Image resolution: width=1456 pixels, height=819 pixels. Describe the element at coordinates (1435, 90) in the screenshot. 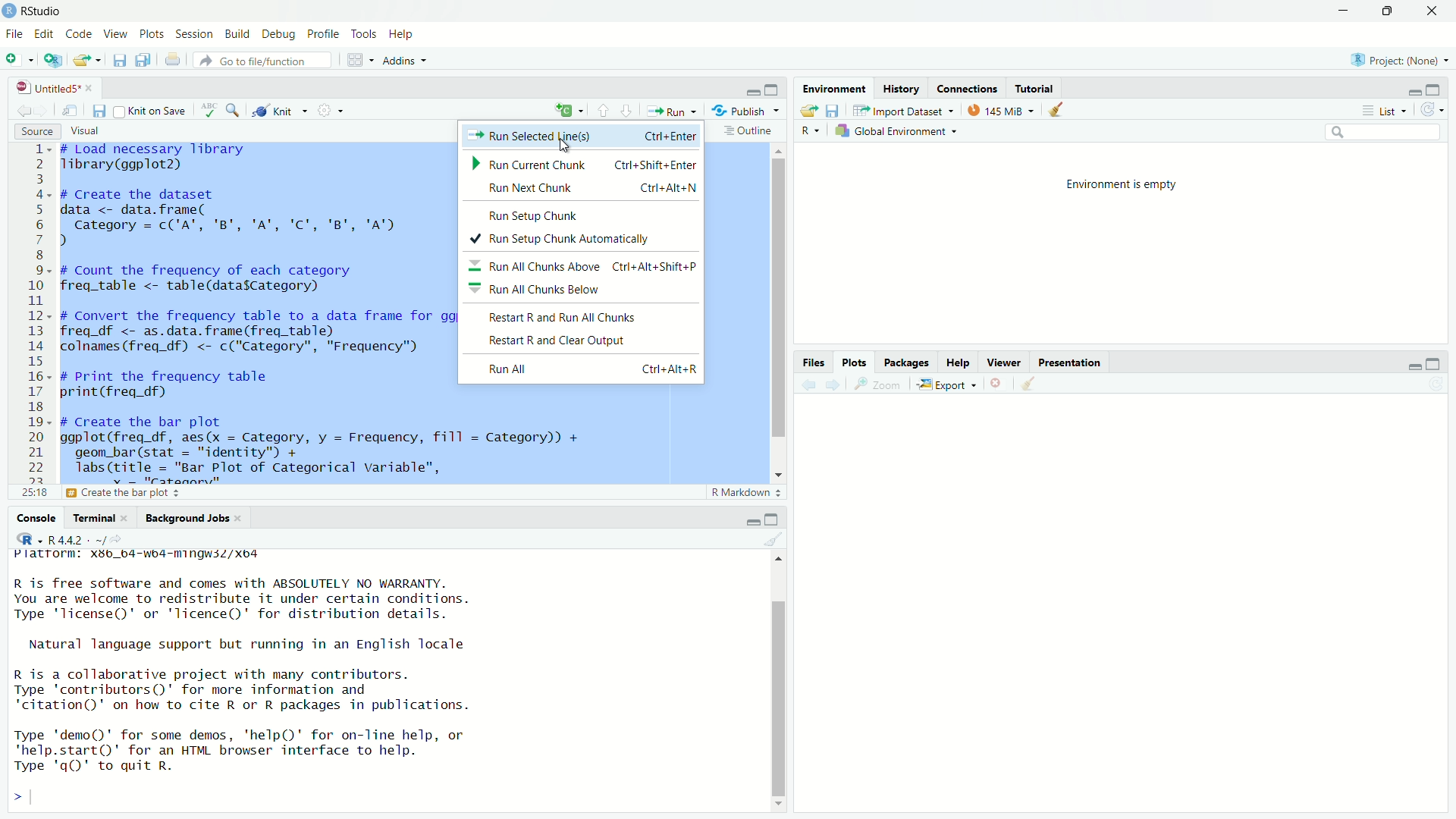

I see `maximize` at that location.